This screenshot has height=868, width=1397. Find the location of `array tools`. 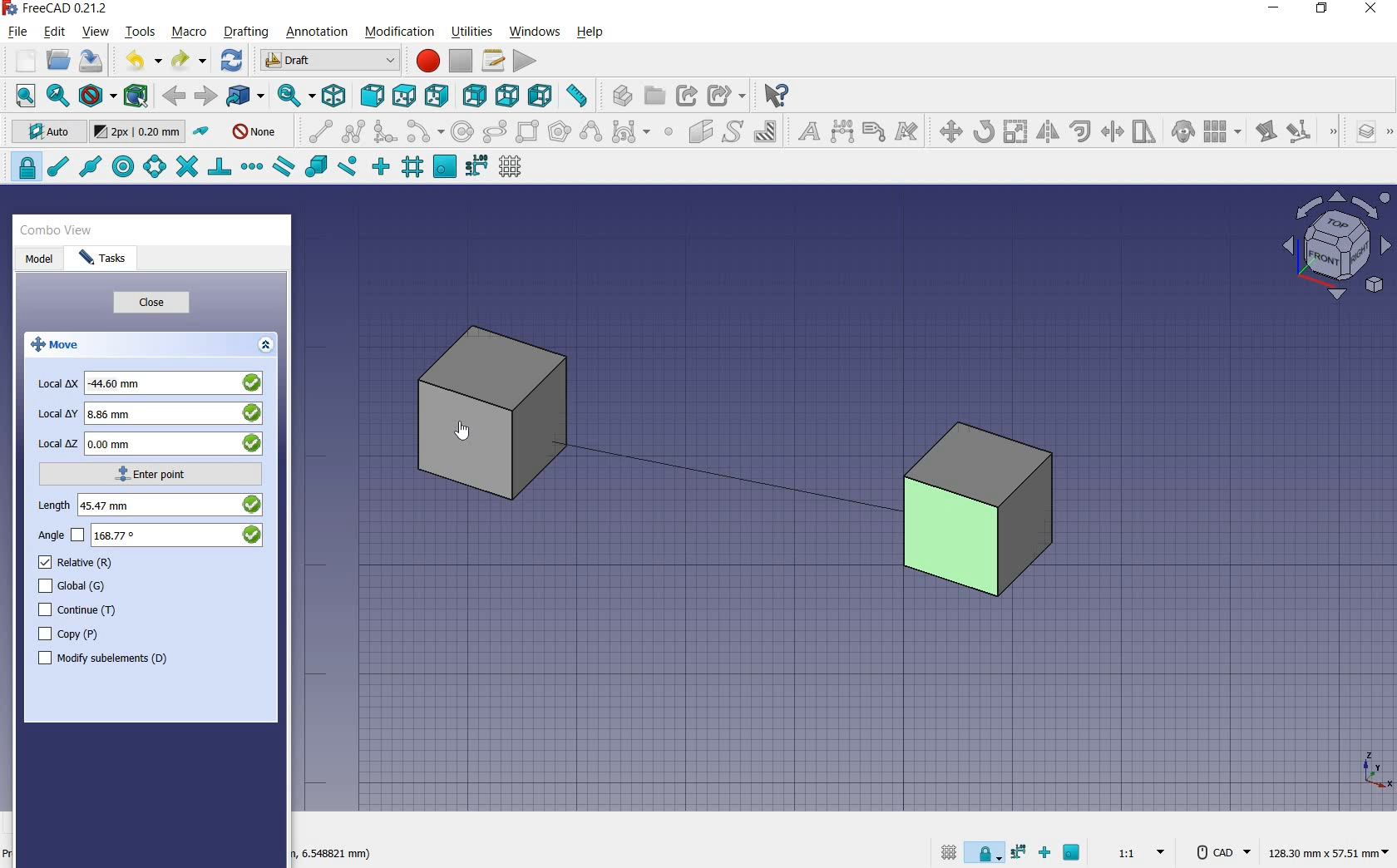

array tools is located at coordinates (1221, 131).